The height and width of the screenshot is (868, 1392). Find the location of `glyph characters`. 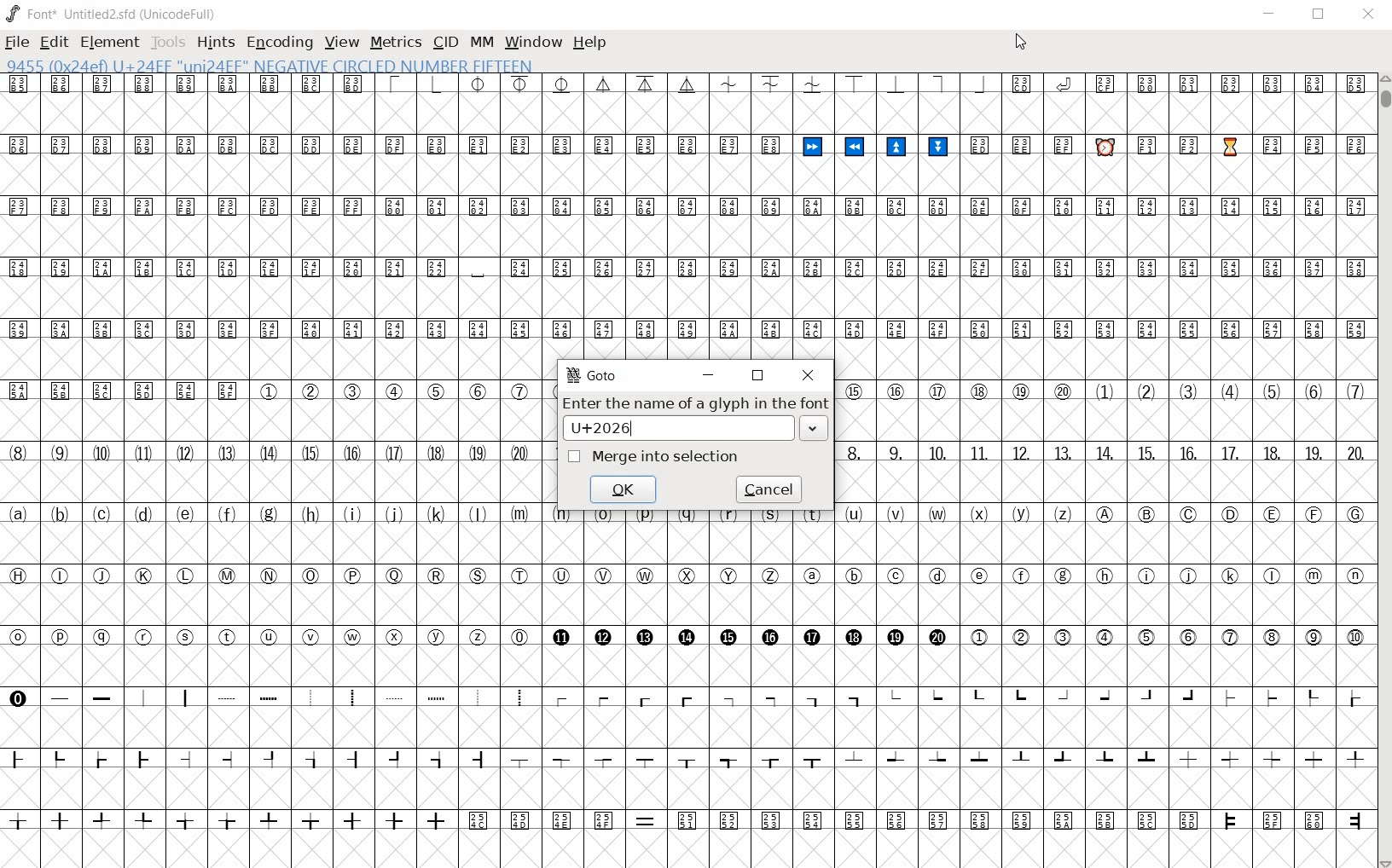

glyph characters is located at coordinates (959, 713).